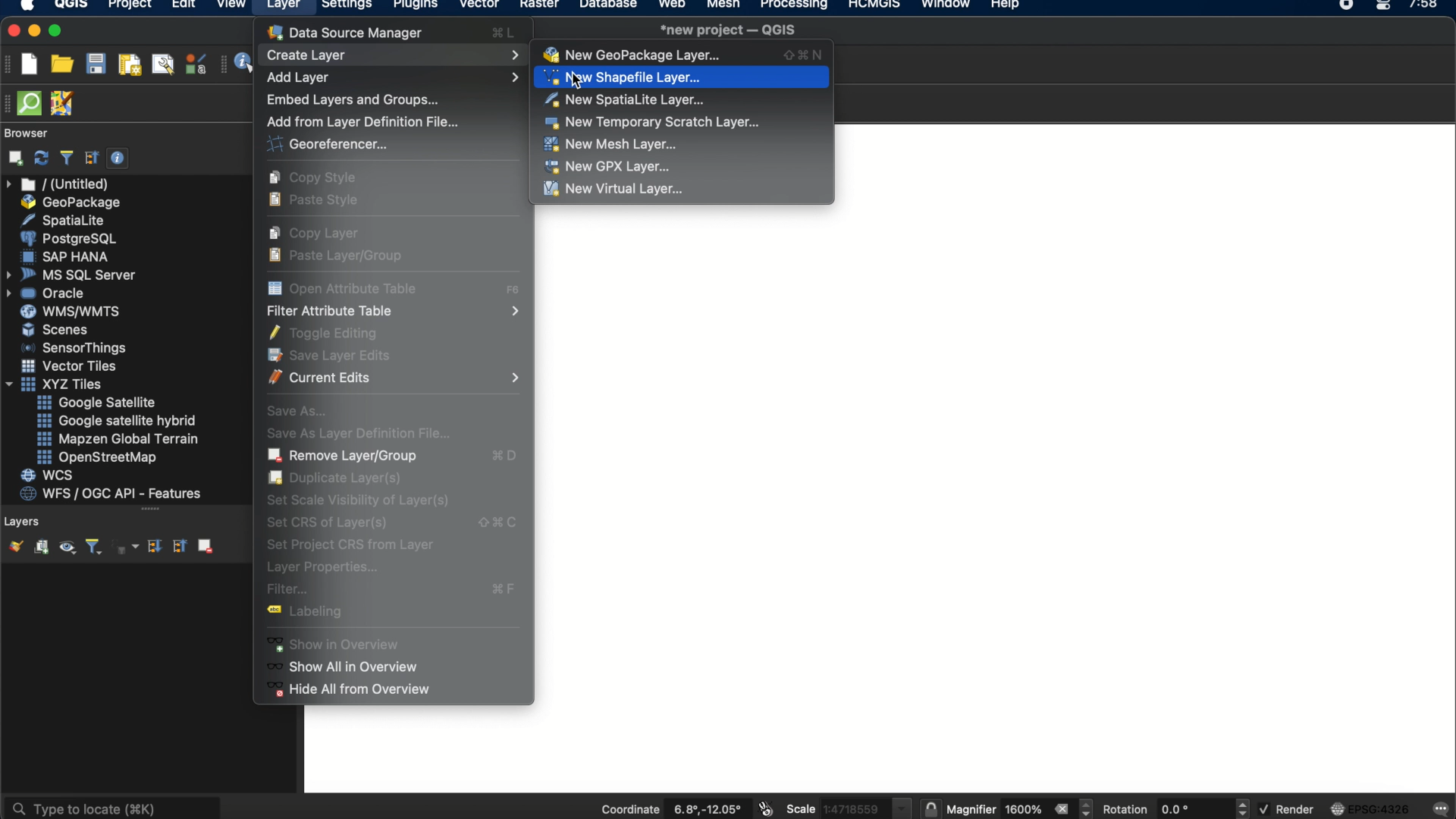  I want to click on workspace, so click(993, 500).